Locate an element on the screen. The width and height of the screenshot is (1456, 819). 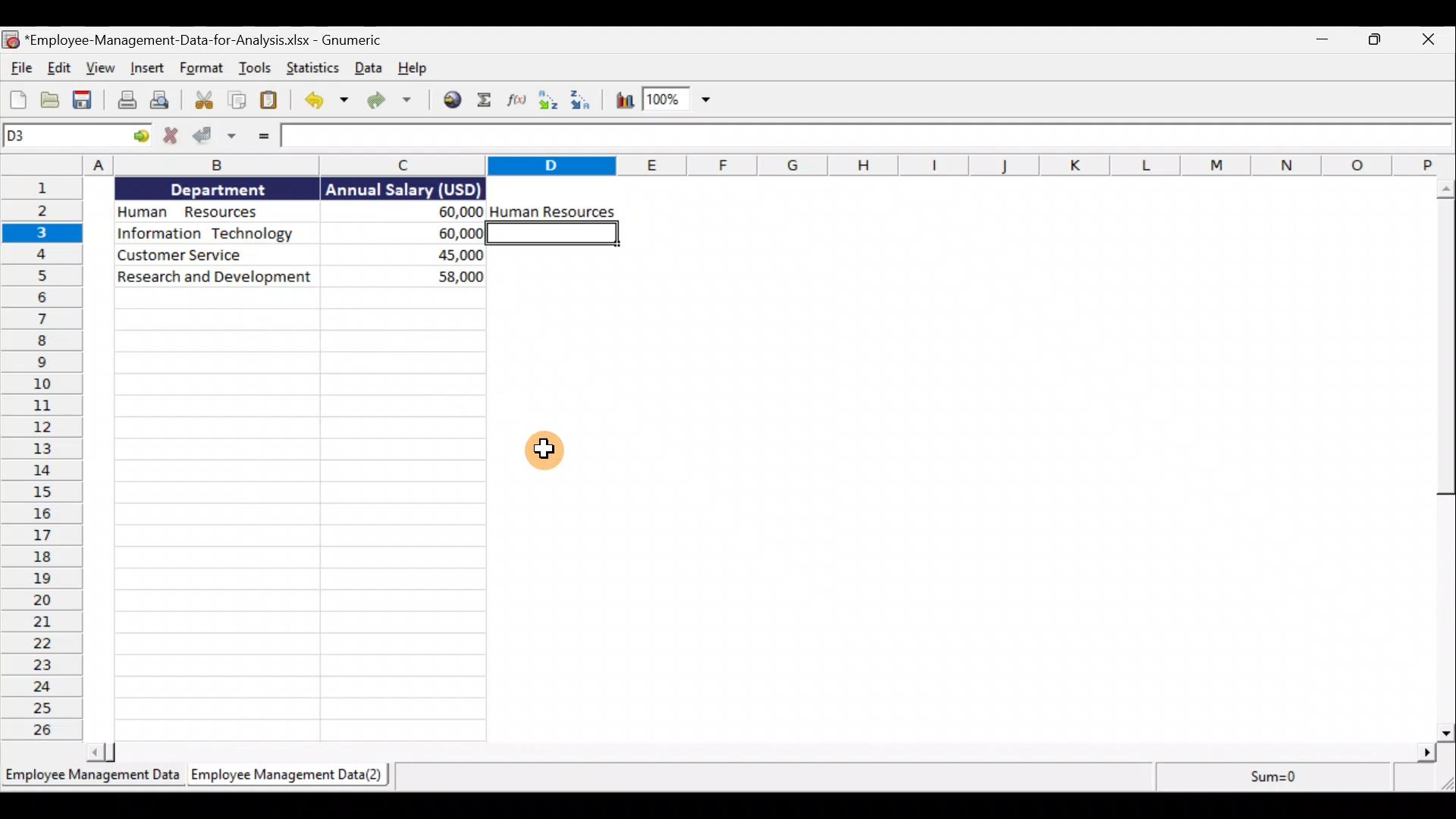
Minimise is located at coordinates (1320, 42).